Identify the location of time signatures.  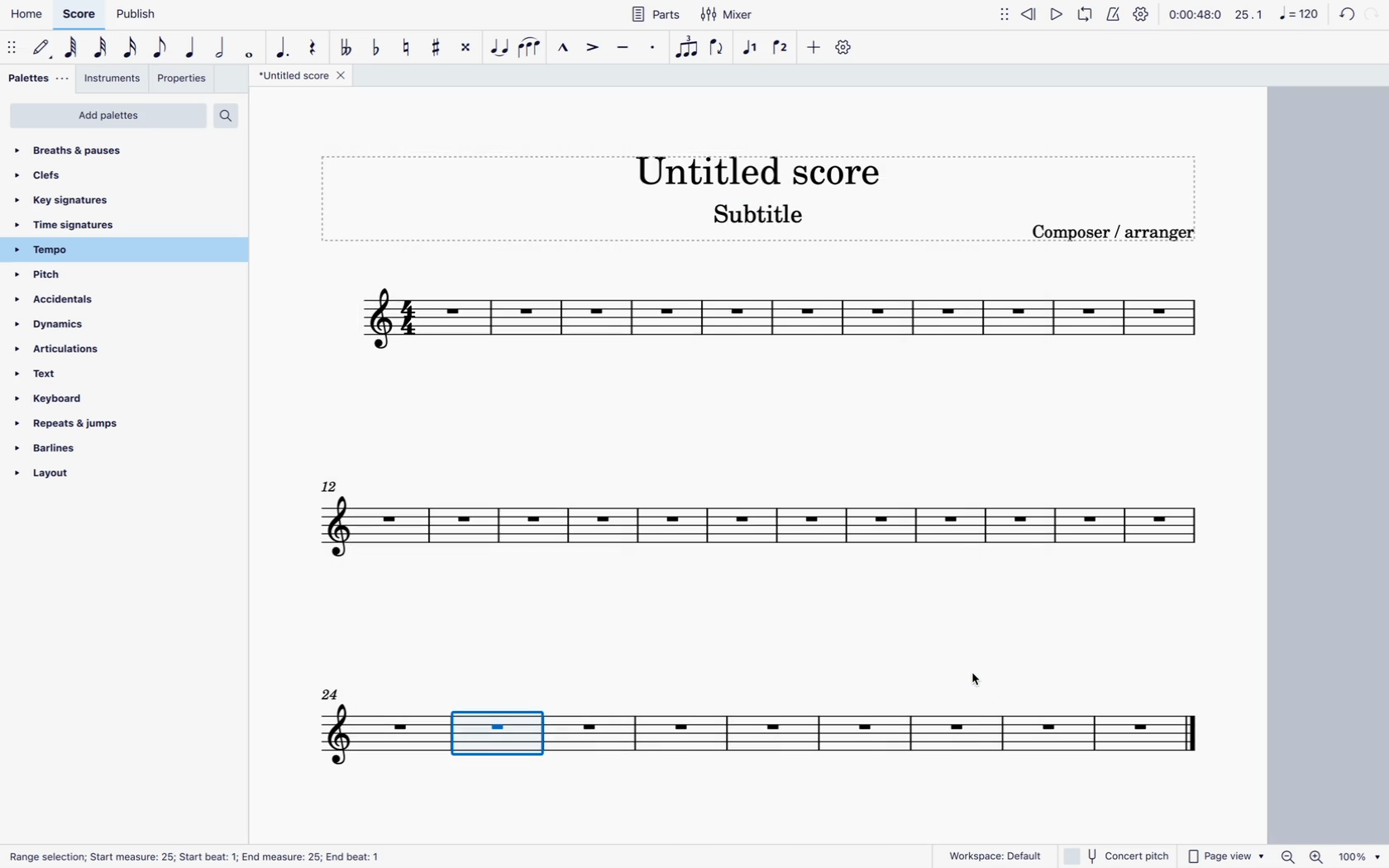
(74, 226).